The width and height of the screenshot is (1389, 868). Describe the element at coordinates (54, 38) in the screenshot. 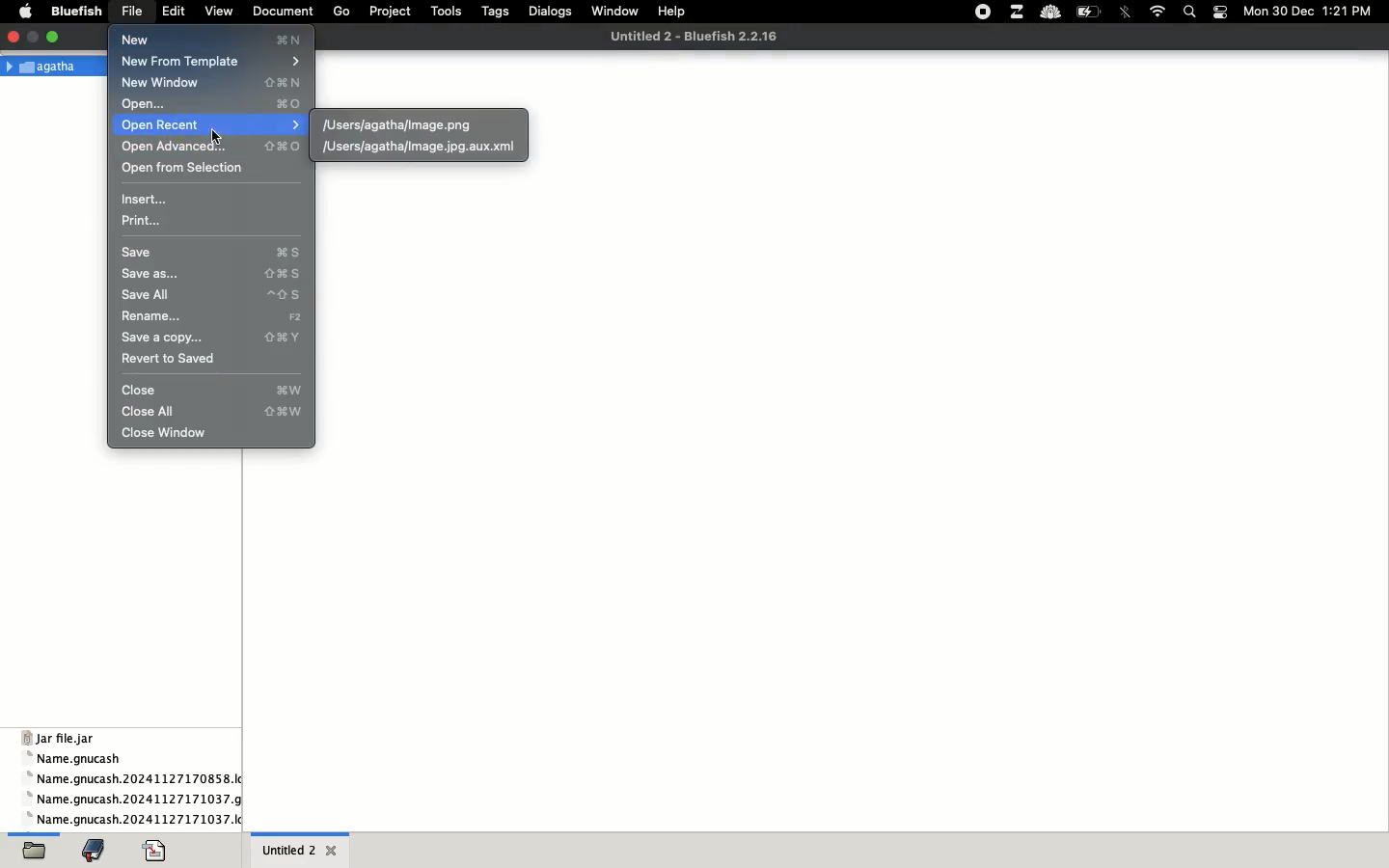

I see `minimize` at that location.